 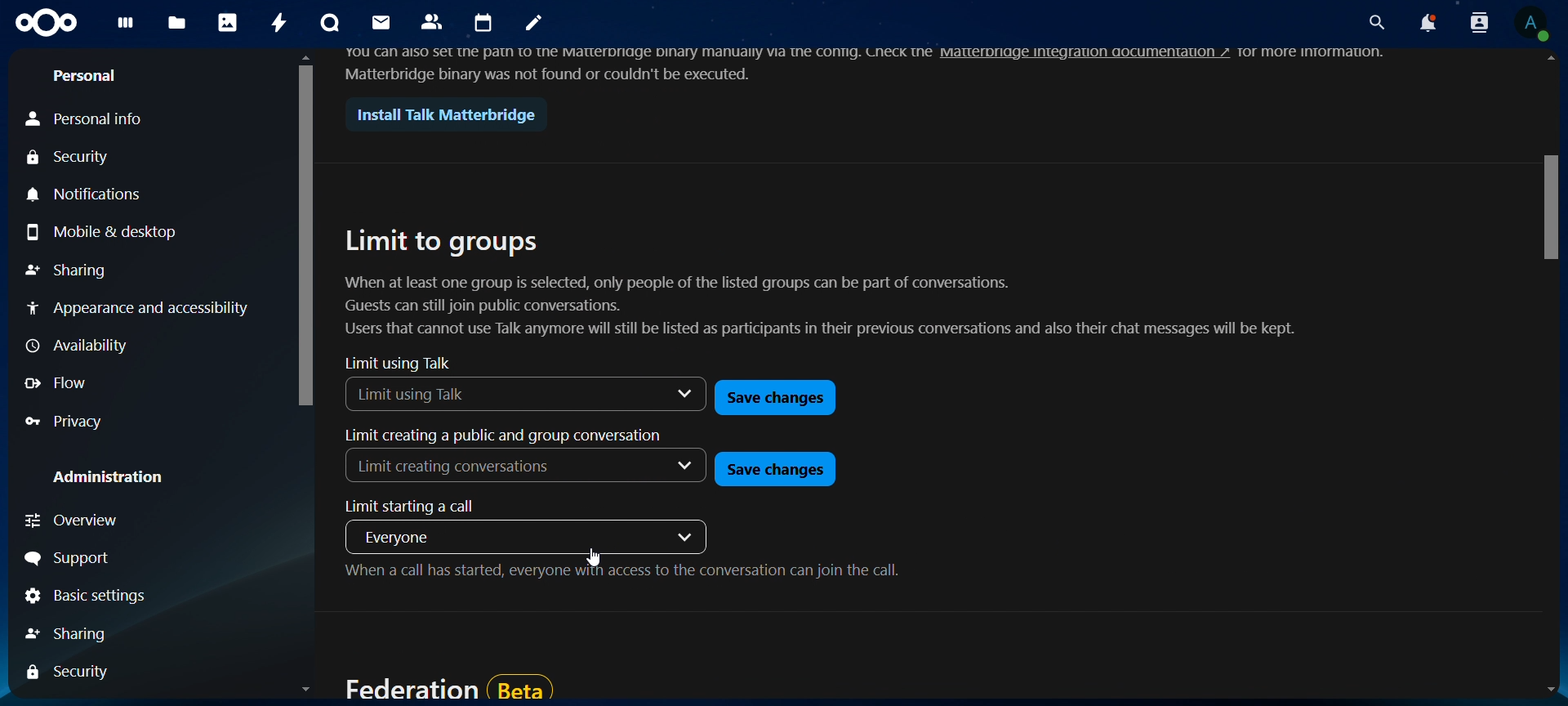 What do you see at coordinates (116, 556) in the screenshot?
I see `Signout` at bounding box center [116, 556].